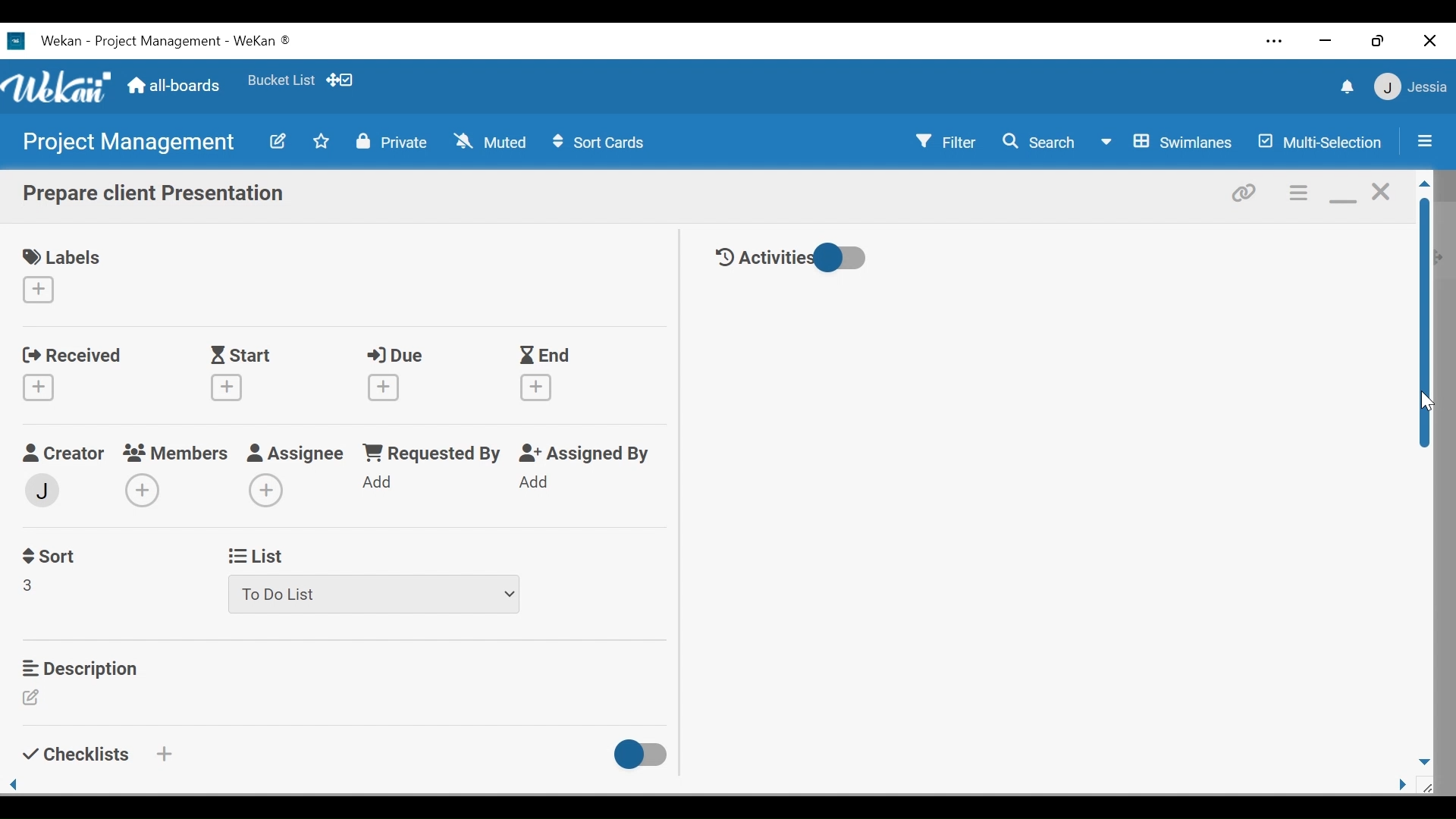 The height and width of the screenshot is (819, 1456). I want to click on close, so click(1381, 193).